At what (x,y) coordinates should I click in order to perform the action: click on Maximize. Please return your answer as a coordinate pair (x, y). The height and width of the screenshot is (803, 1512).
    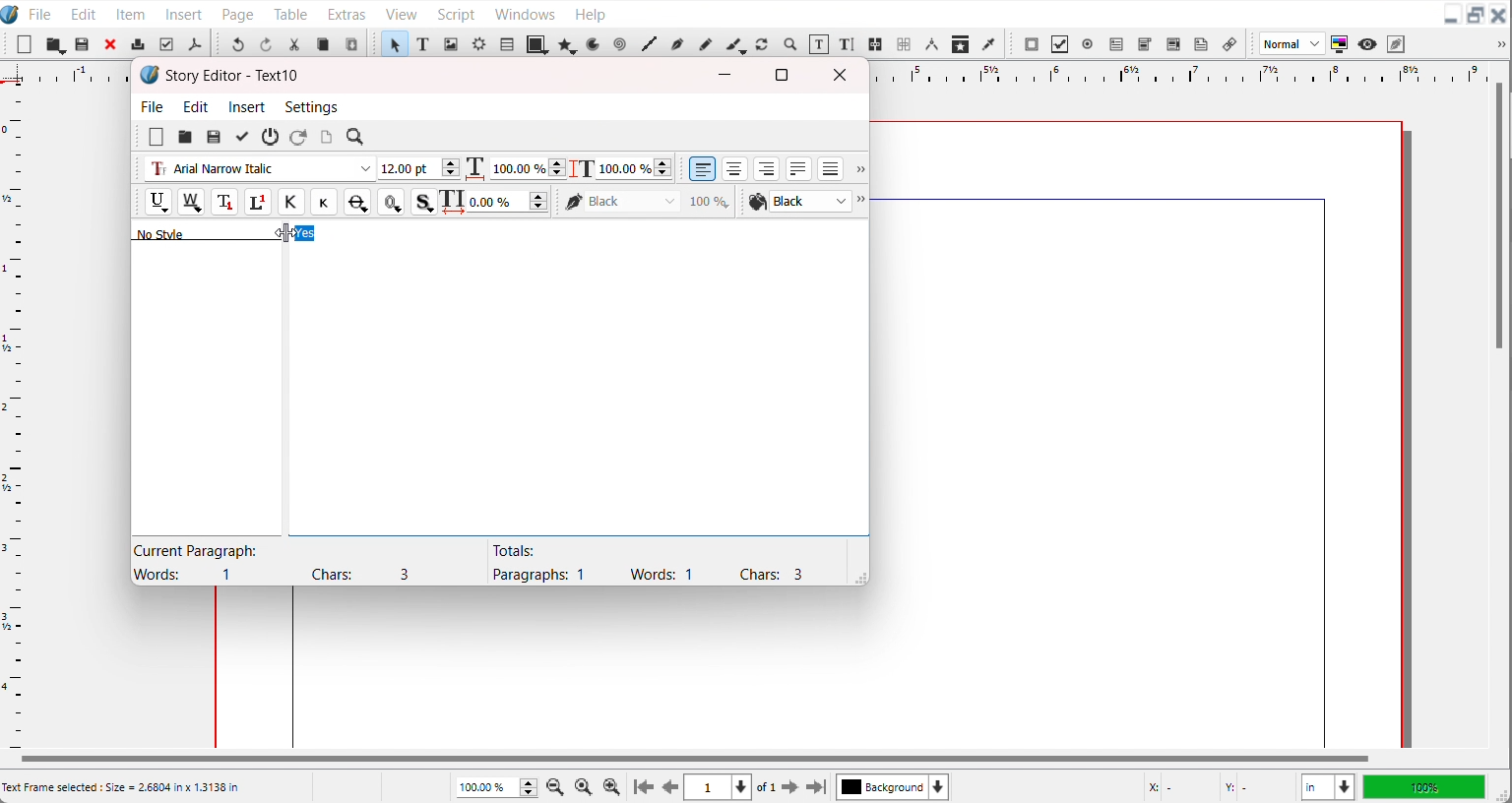
    Looking at the image, I should click on (782, 74).